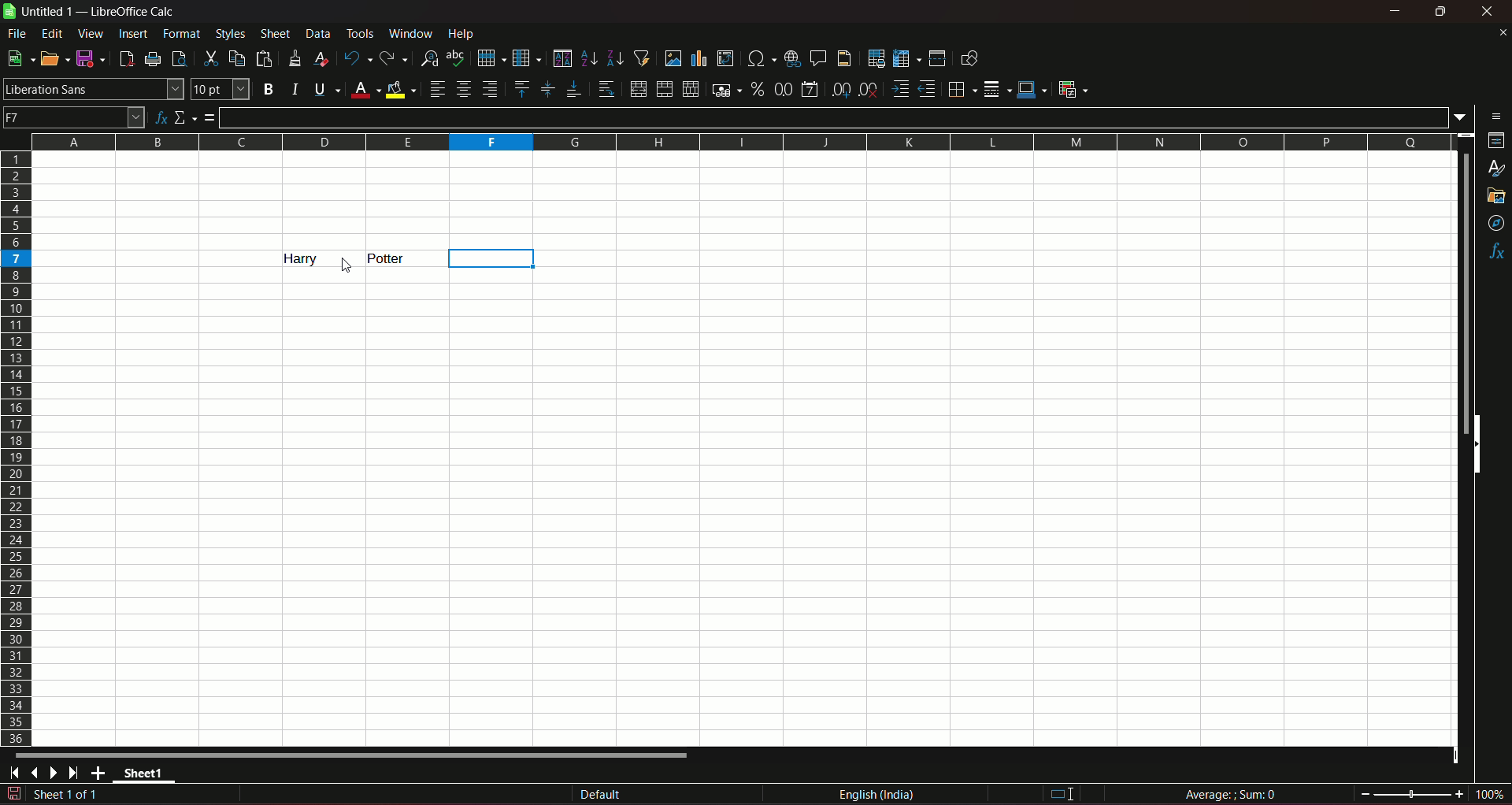 This screenshot has height=805, width=1512. Describe the element at coordinates (1502, 32) in the screenshot. I see `close` at that location.